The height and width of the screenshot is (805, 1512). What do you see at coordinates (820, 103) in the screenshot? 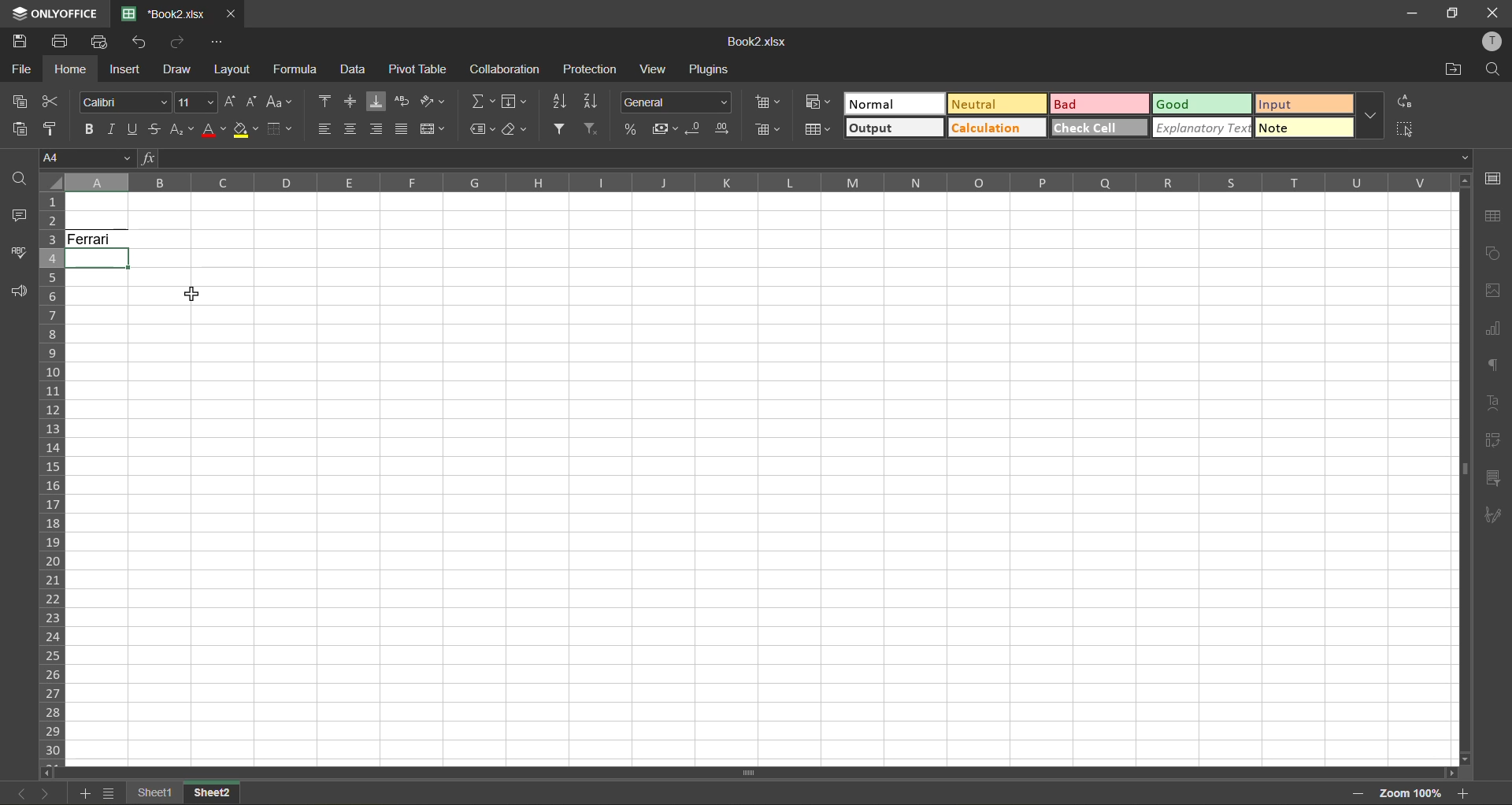
I see `conditional formatting` at bounding box center [820, 103].